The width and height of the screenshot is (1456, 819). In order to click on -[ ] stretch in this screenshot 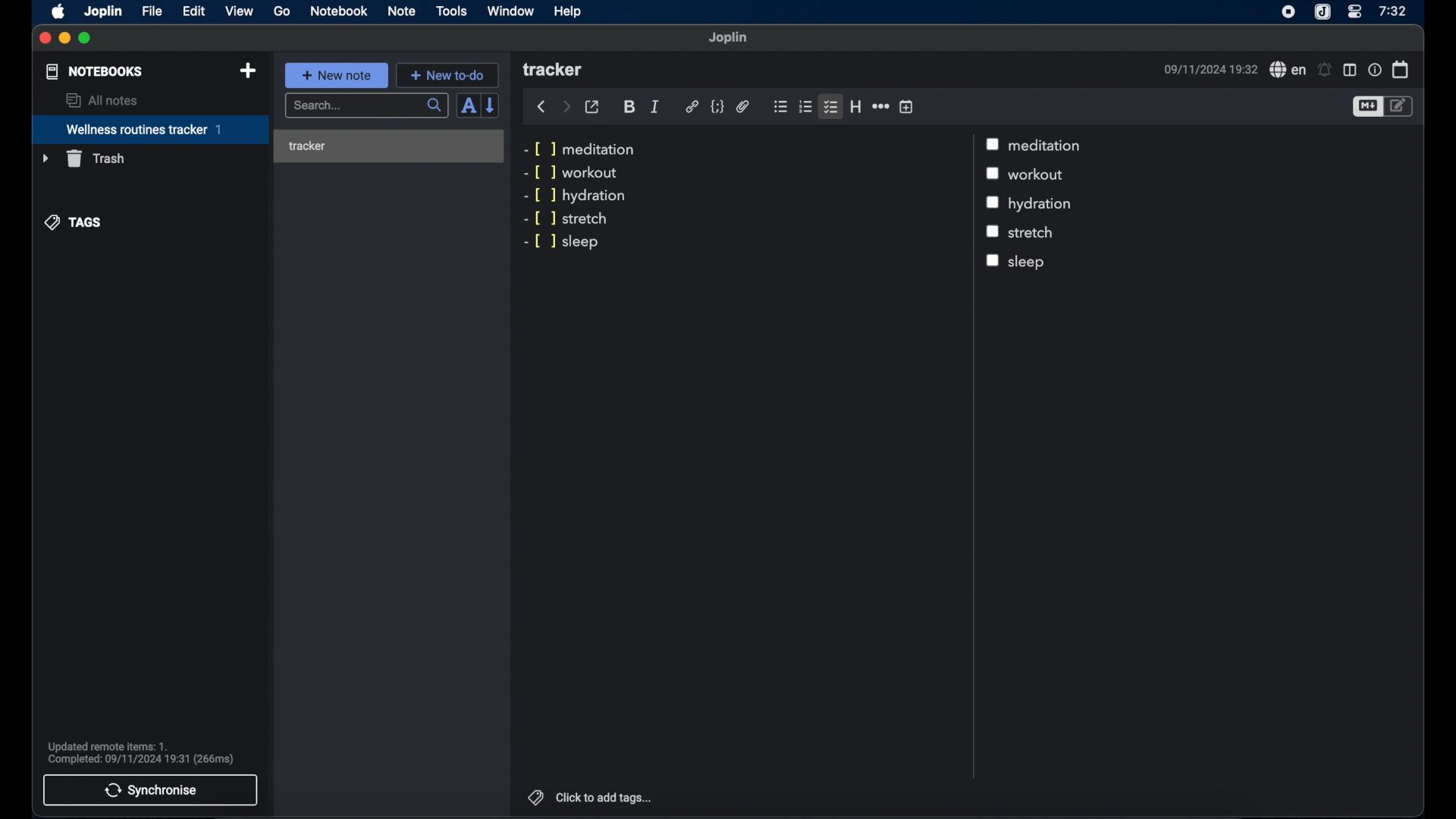, I will do `click(566, 220)`.